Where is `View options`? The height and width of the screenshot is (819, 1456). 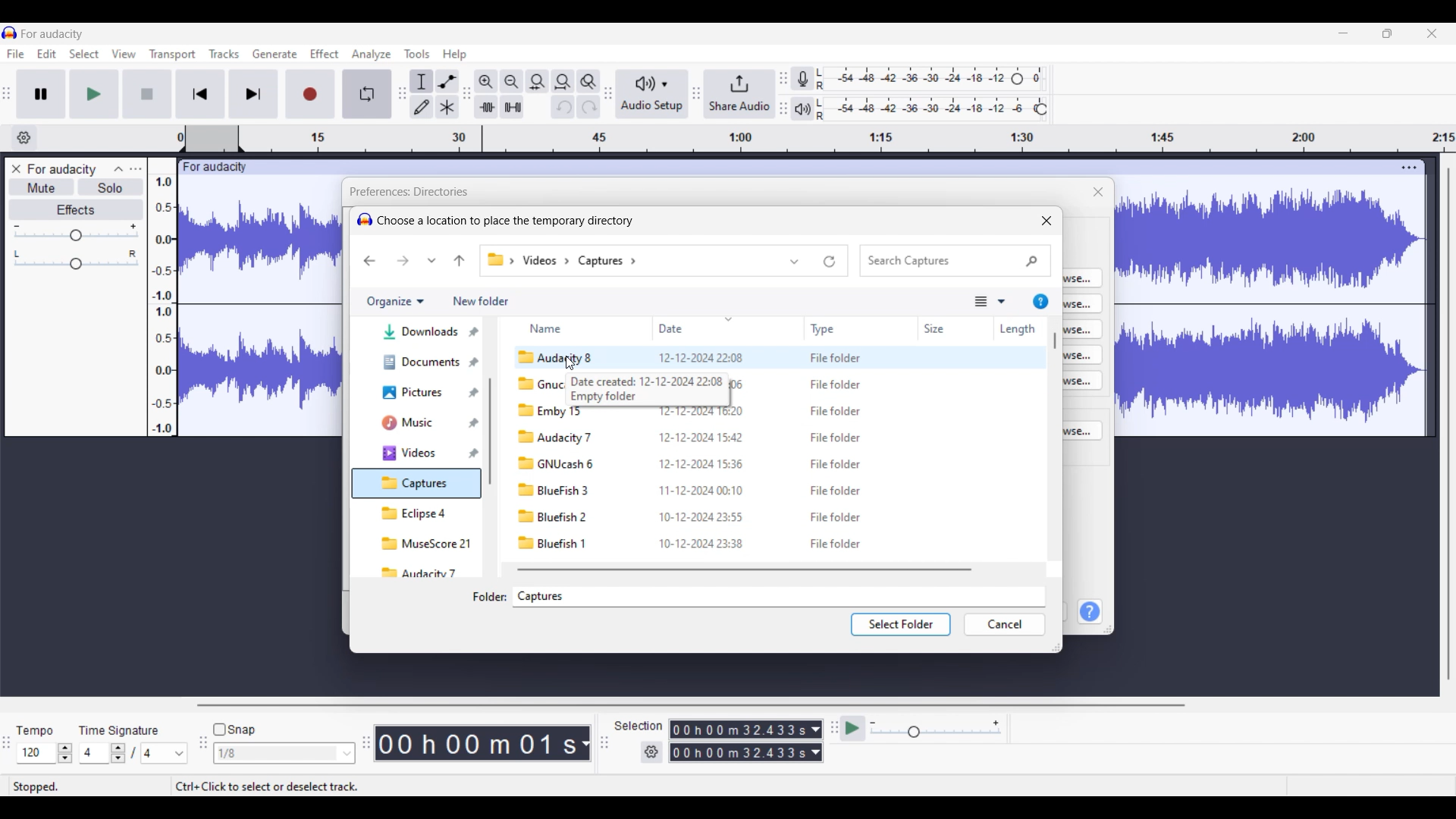
View options is located at coordinates (990, 301).